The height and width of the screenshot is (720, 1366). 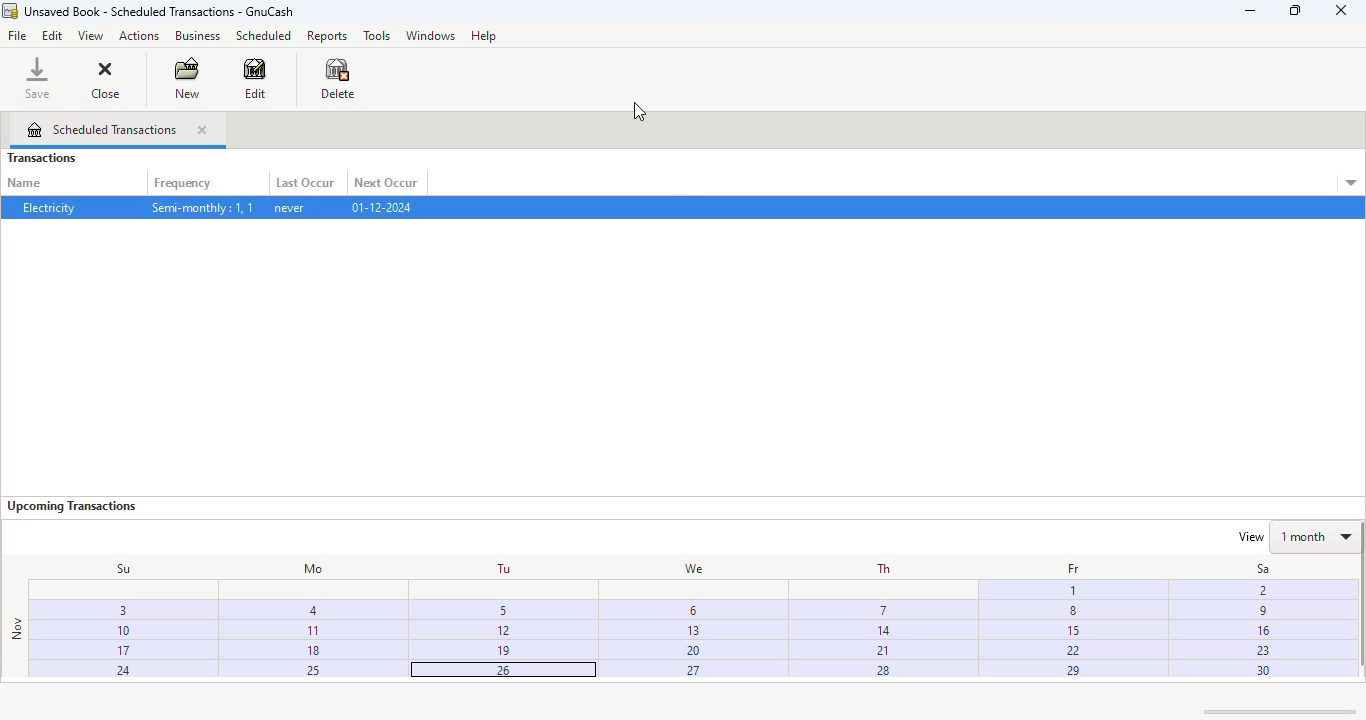 What do you see at coordinates (377, 35) in the screenshot?
I see `tools` at bounding box center [377, 35].